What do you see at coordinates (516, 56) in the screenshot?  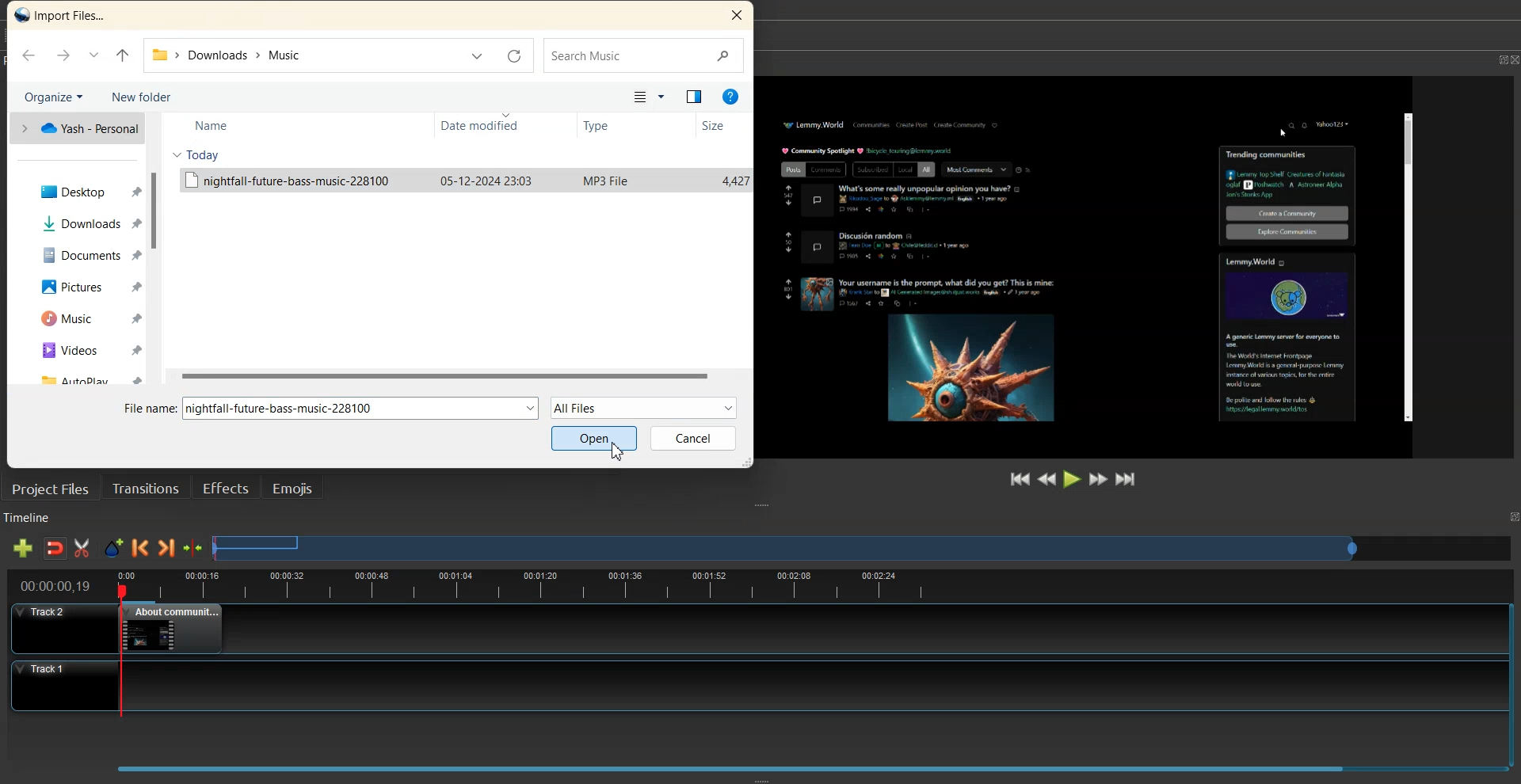 I see `Refresh` at bounding box center [516, 56].